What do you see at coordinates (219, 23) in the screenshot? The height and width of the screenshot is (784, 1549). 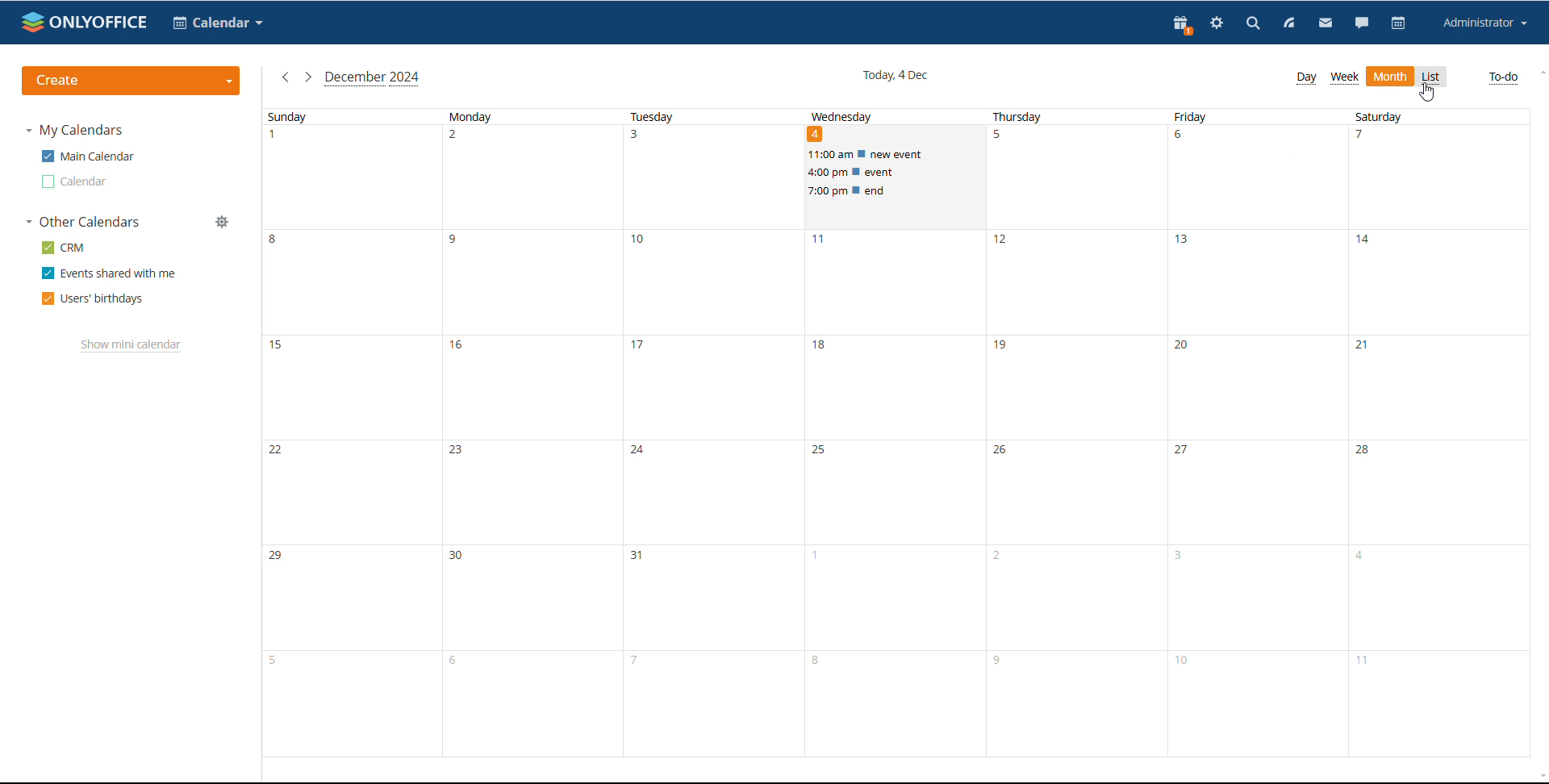 I see `select application` at bounding box center [219, 23].